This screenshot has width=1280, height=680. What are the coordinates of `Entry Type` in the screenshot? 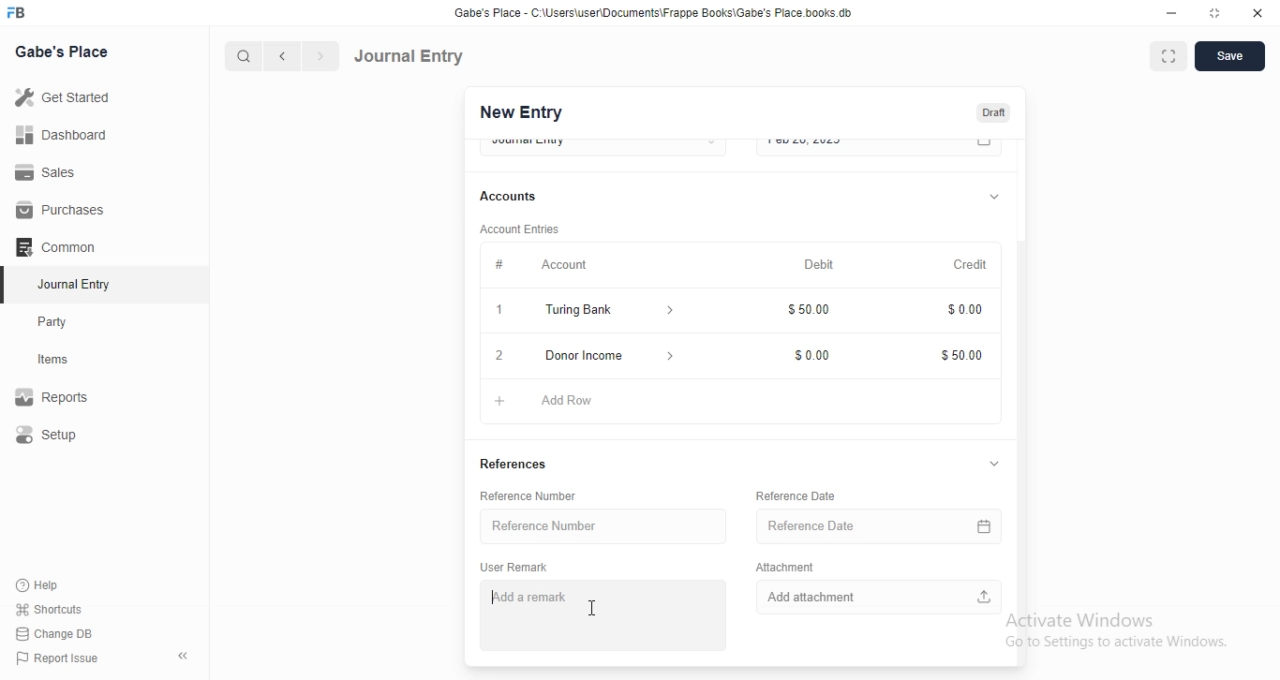 It's located at (602, 145).